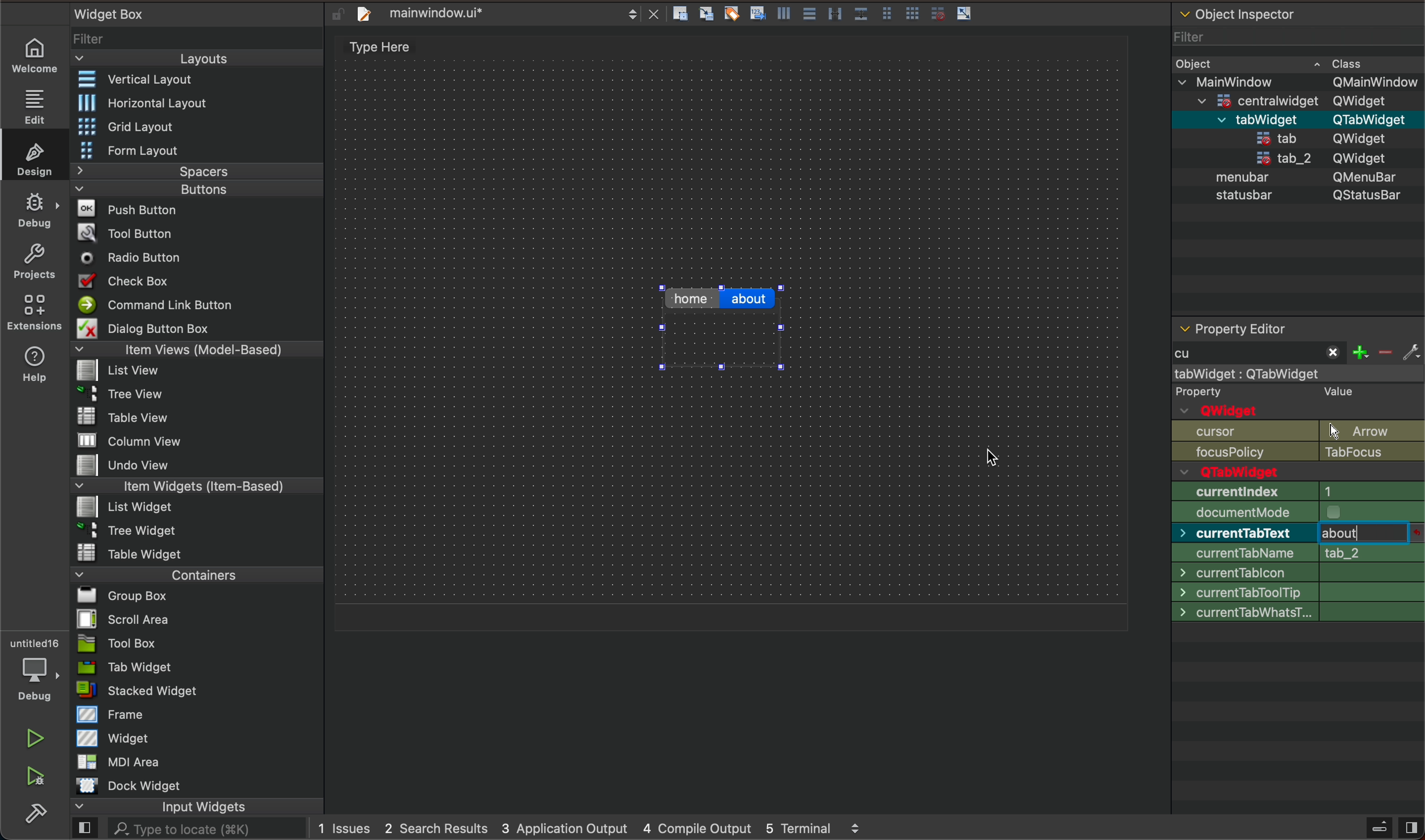 The image size is (1425, 840). I want to click on palette, so click(1299, 610).